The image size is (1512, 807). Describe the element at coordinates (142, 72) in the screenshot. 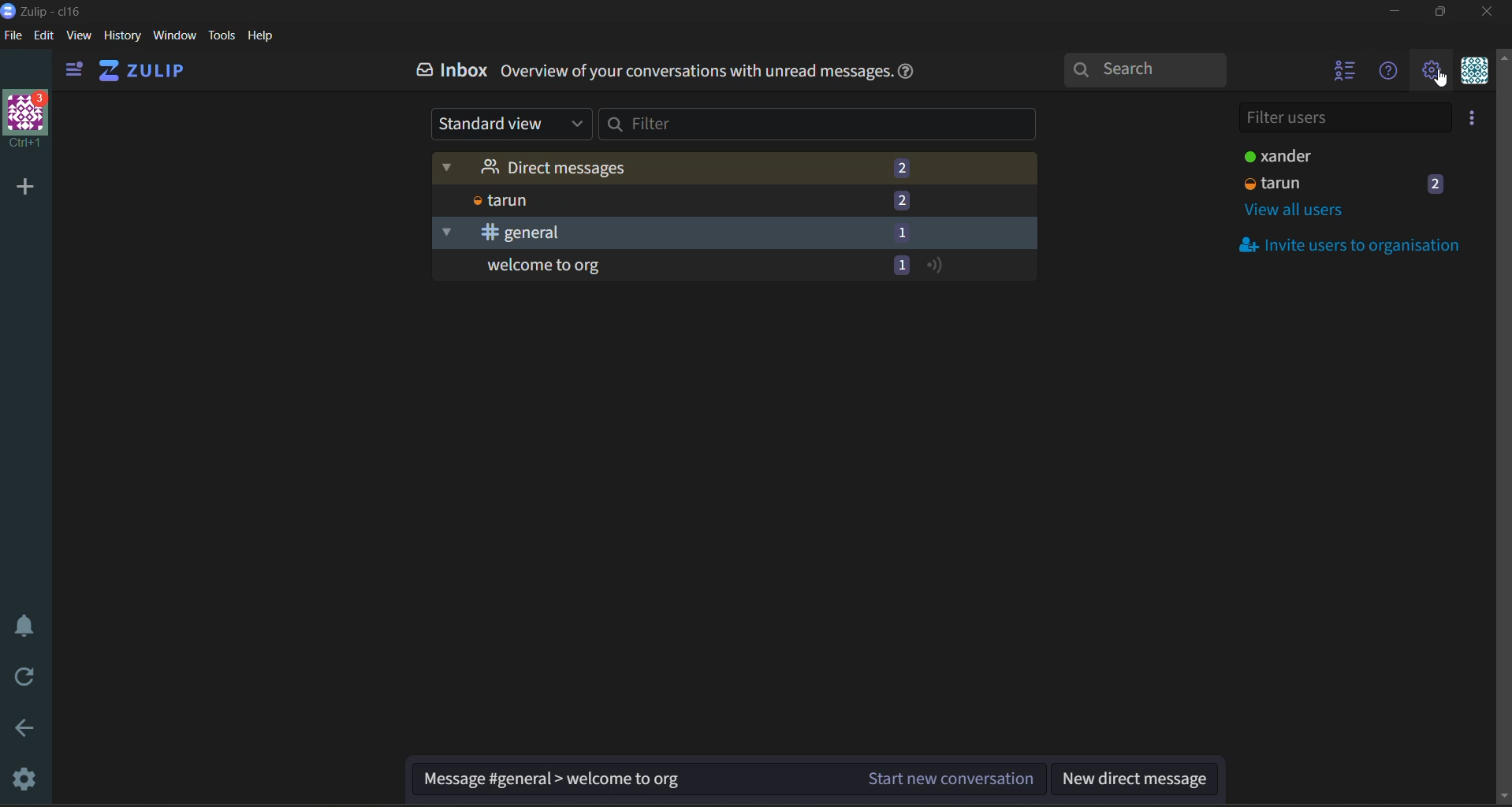

I see `home view` at that location.